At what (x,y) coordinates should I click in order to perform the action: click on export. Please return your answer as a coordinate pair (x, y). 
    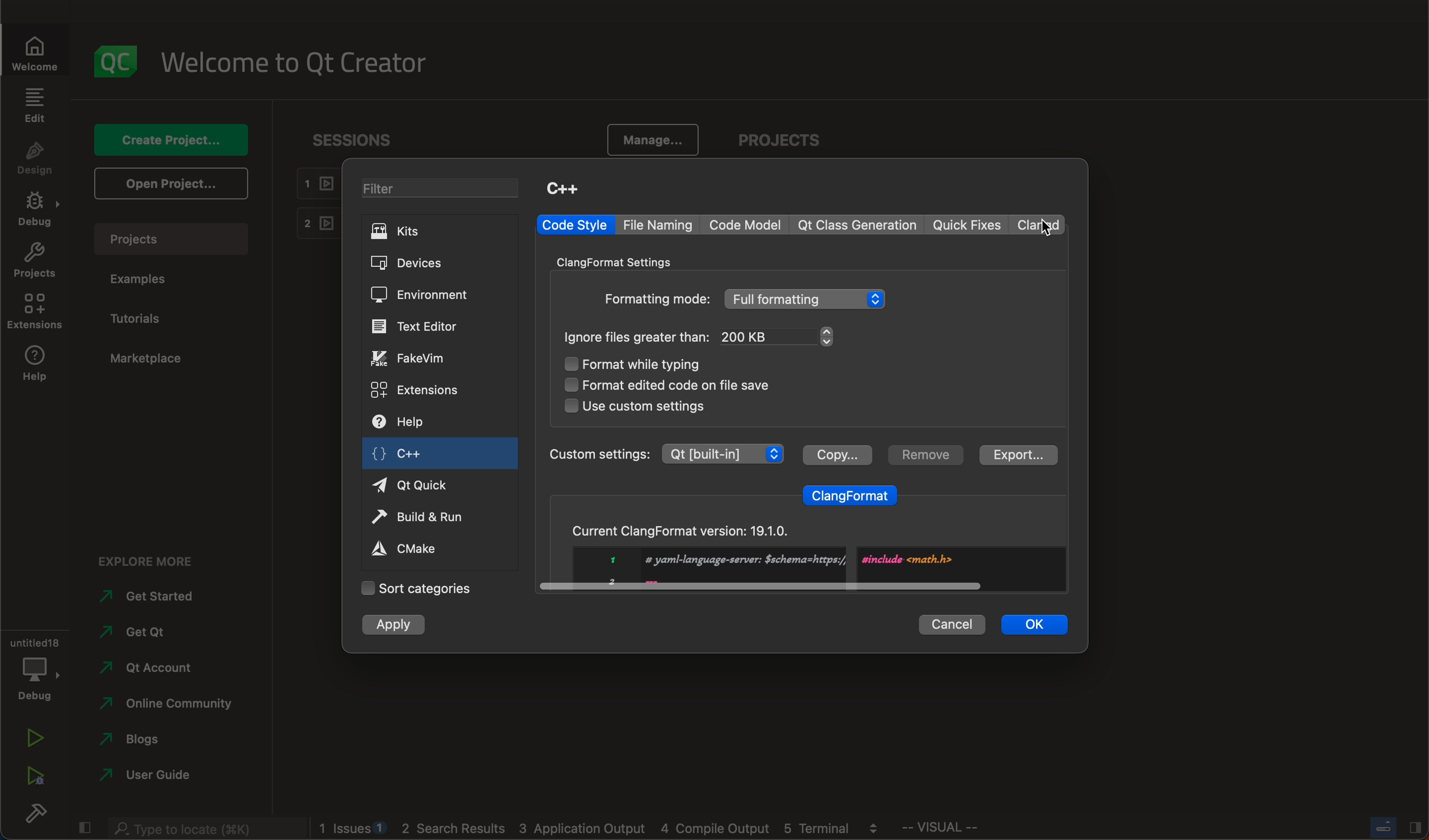
    Looking at the image, I should click on (1020, 455).